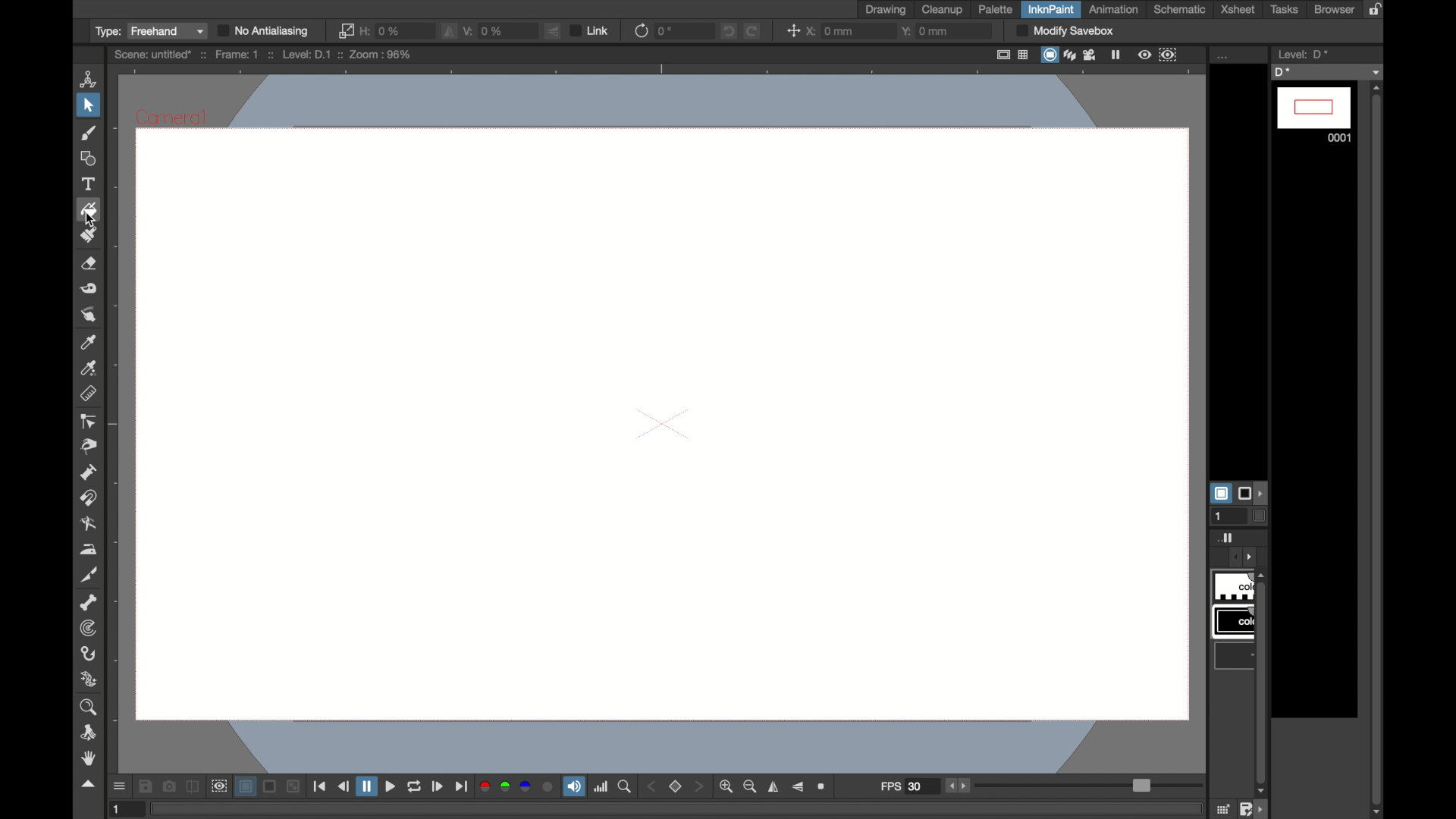 Image resolution: width=1456 pixels, height=819 pixels. I want to click on view, so click(1146, 55).